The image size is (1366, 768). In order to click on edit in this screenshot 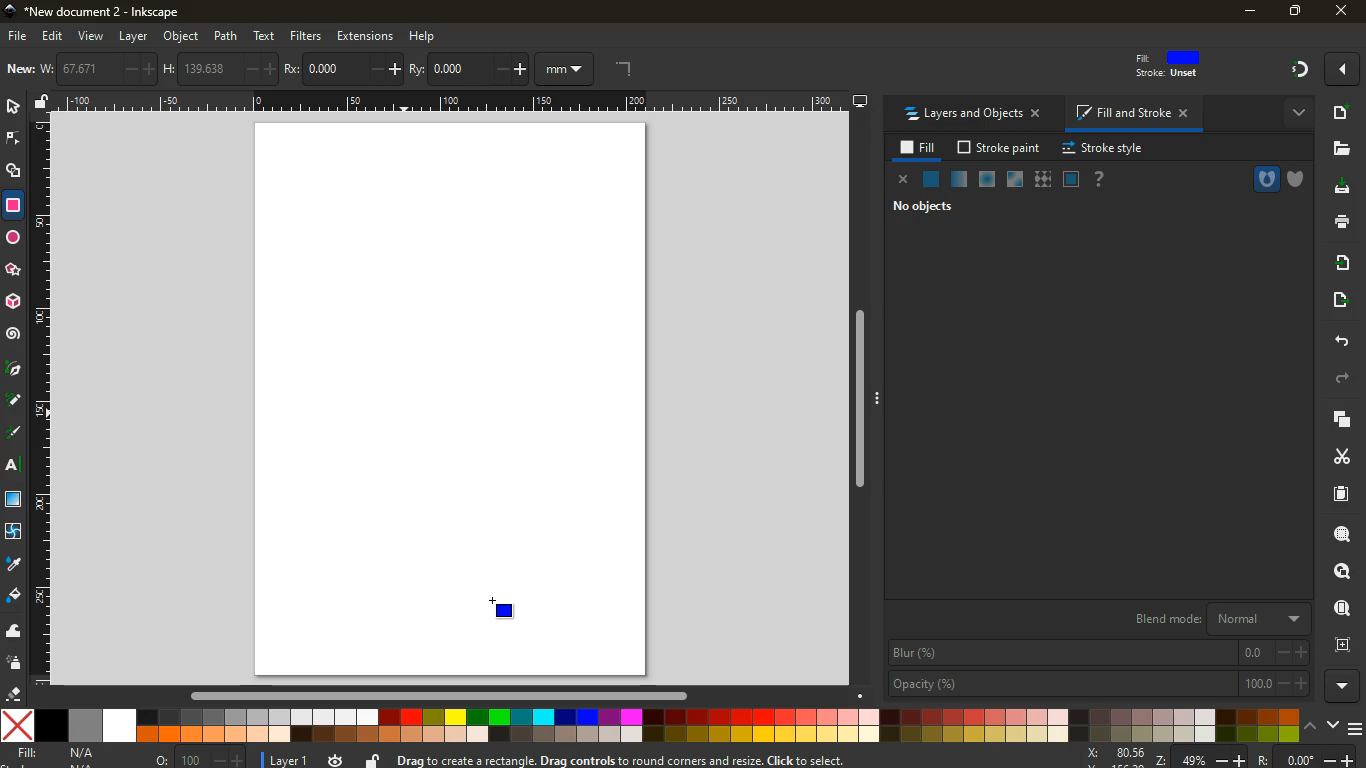, I will do `click(55, 37)`.